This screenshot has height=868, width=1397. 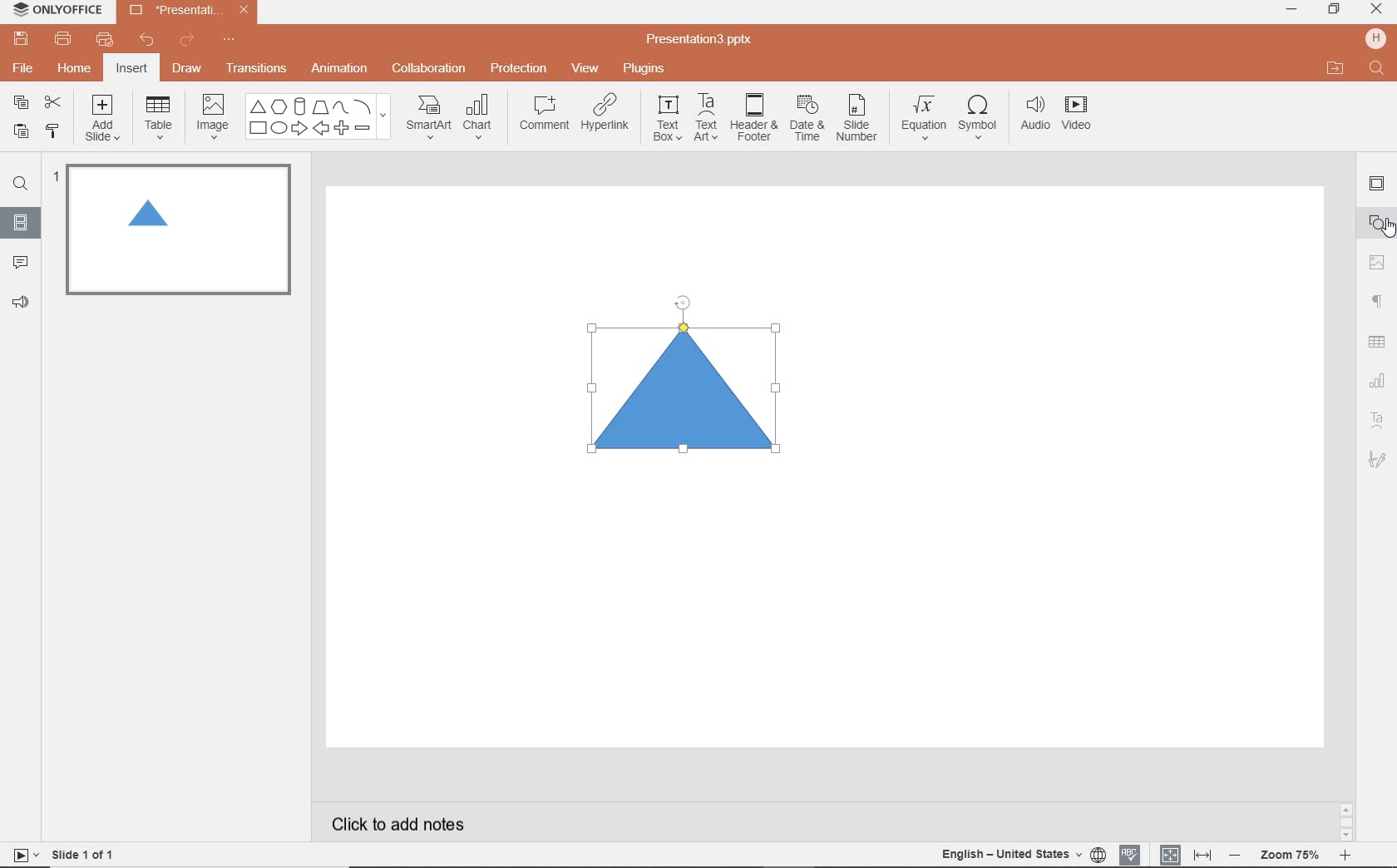 What do you see at coordinates (54, 101) in the screenshot?
I see `CUT` at bounding box center [54, 101].